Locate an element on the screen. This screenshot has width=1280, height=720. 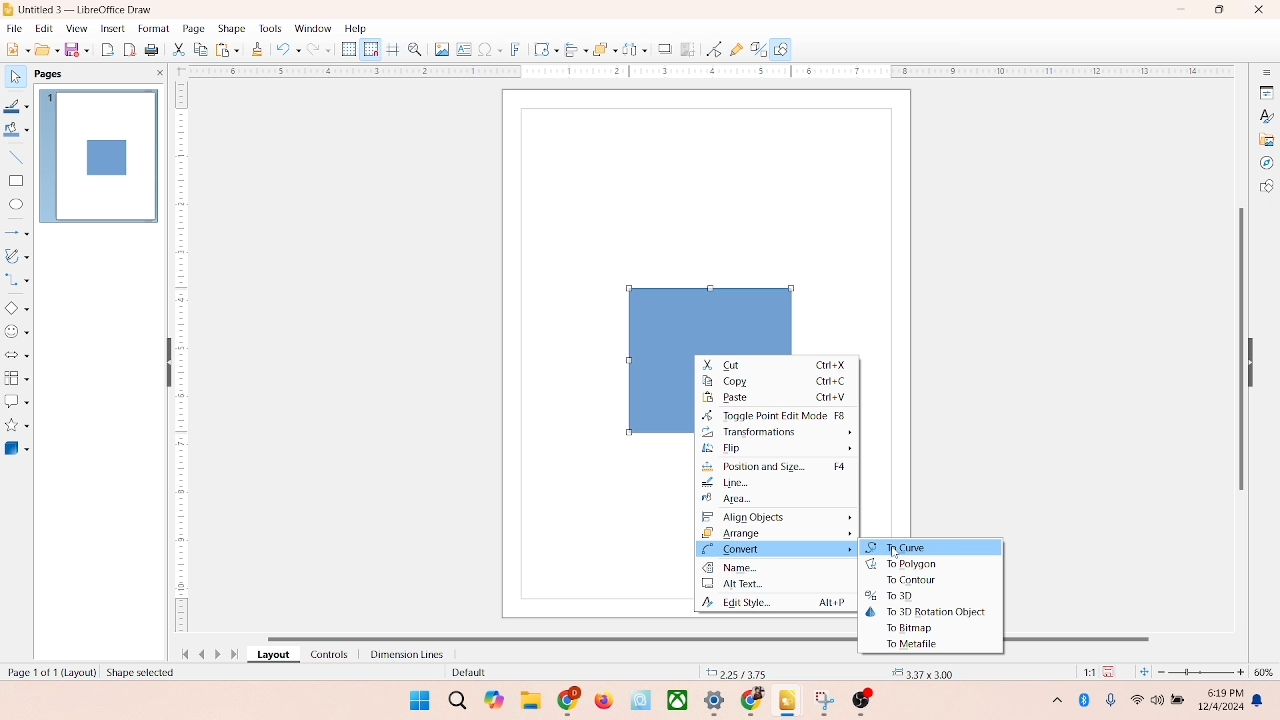
wifi is located at coordinates (1136, 696).